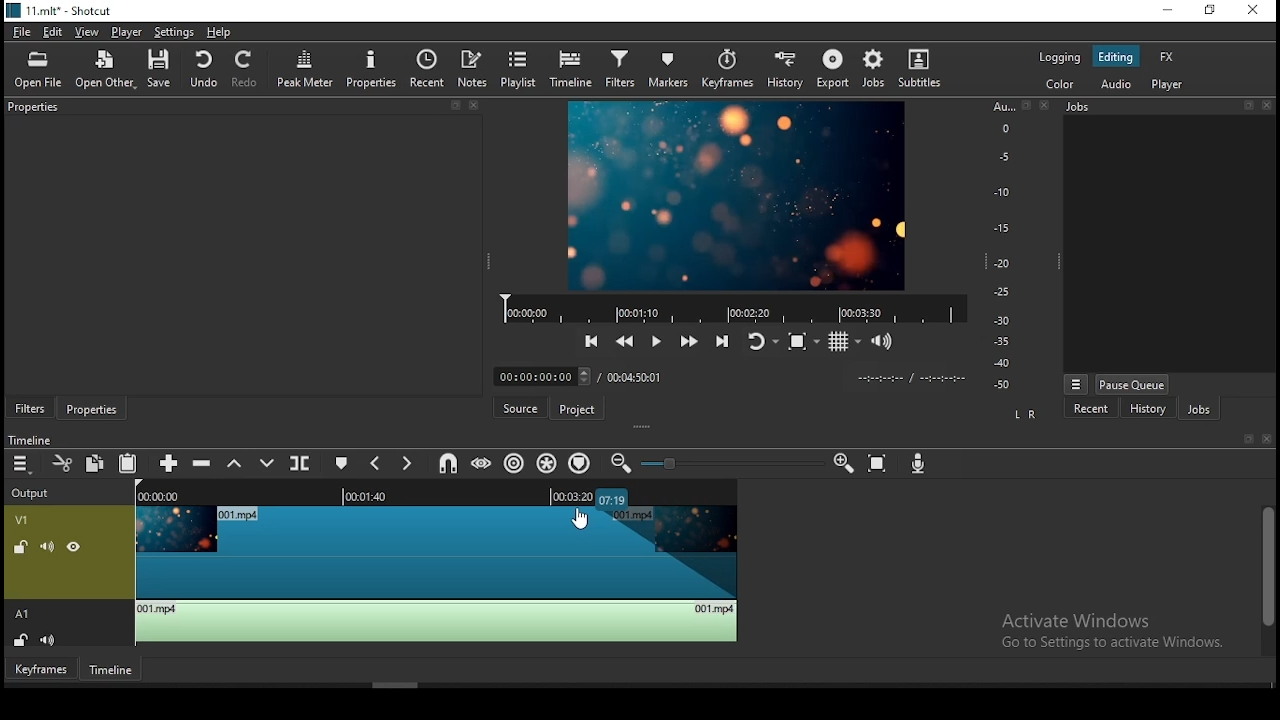 The image size is (1280, 720). I want to click on playlist, so click(522, 72).